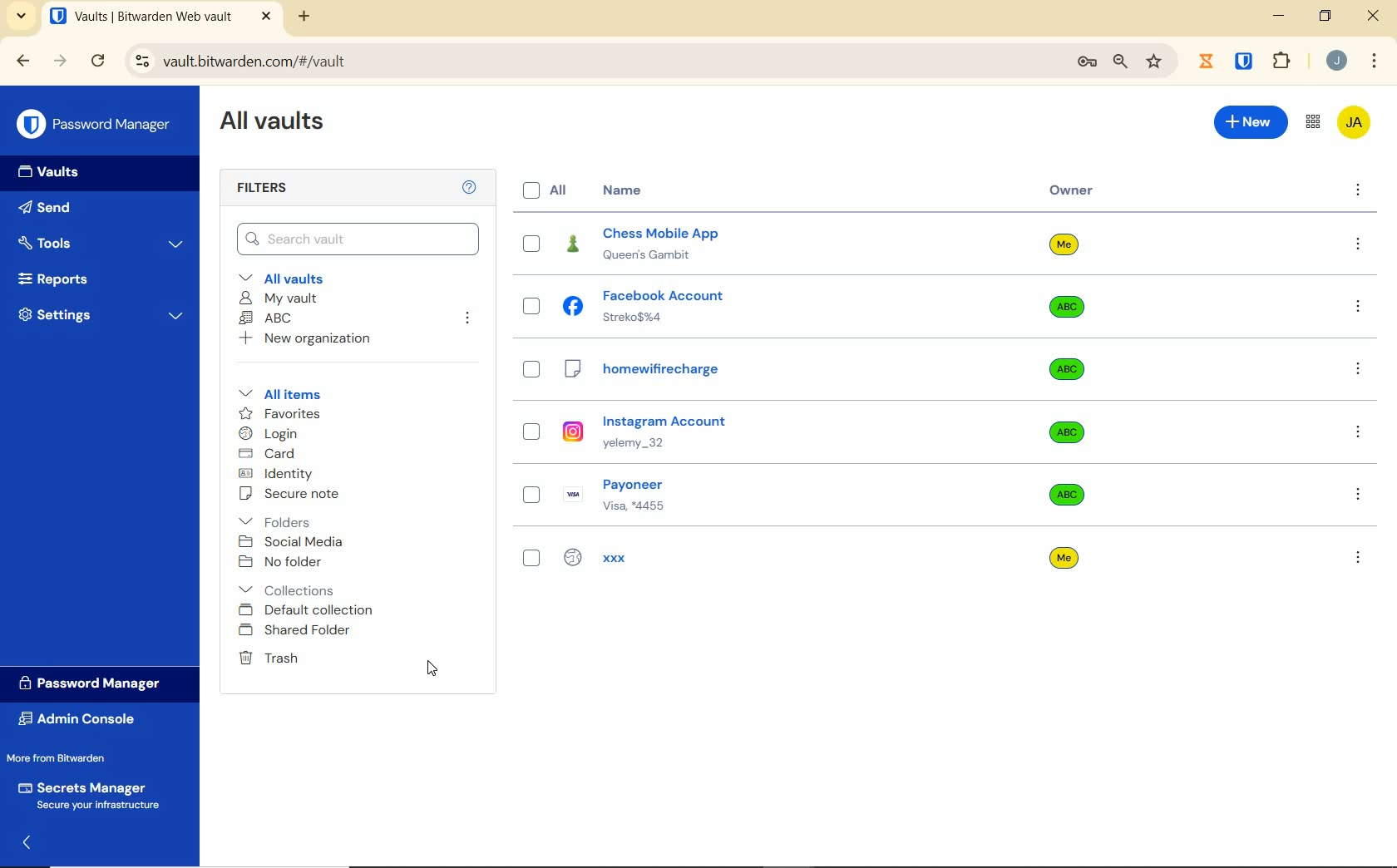 Image resolution: width=1397 pixels, height=868 pixels. What do you see at coordinates (1281, 16) in the screenshot?
I see `minimize` at bounding box center [1281, 16].